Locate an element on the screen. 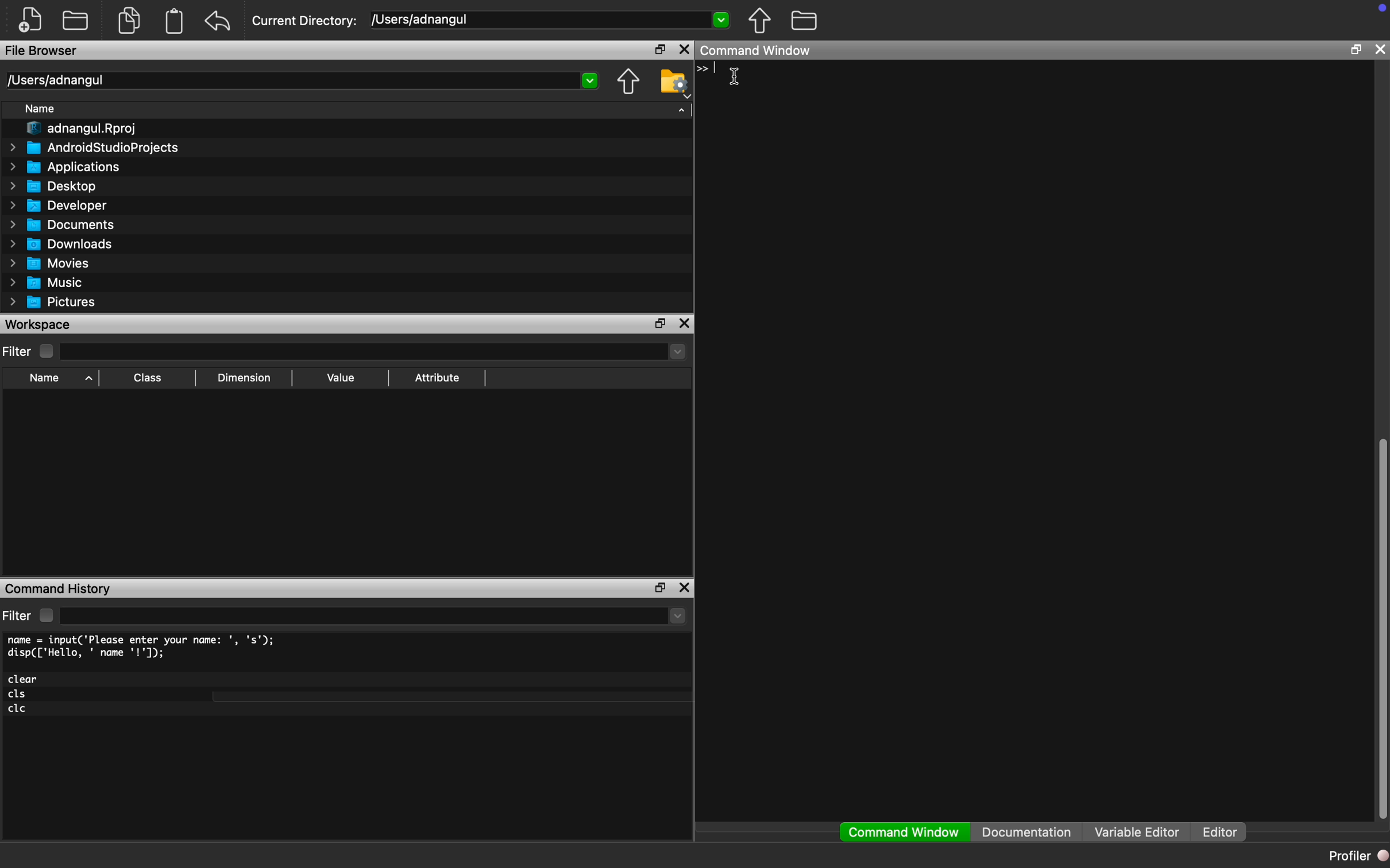  dropdown is located at coordinates (720, 18).